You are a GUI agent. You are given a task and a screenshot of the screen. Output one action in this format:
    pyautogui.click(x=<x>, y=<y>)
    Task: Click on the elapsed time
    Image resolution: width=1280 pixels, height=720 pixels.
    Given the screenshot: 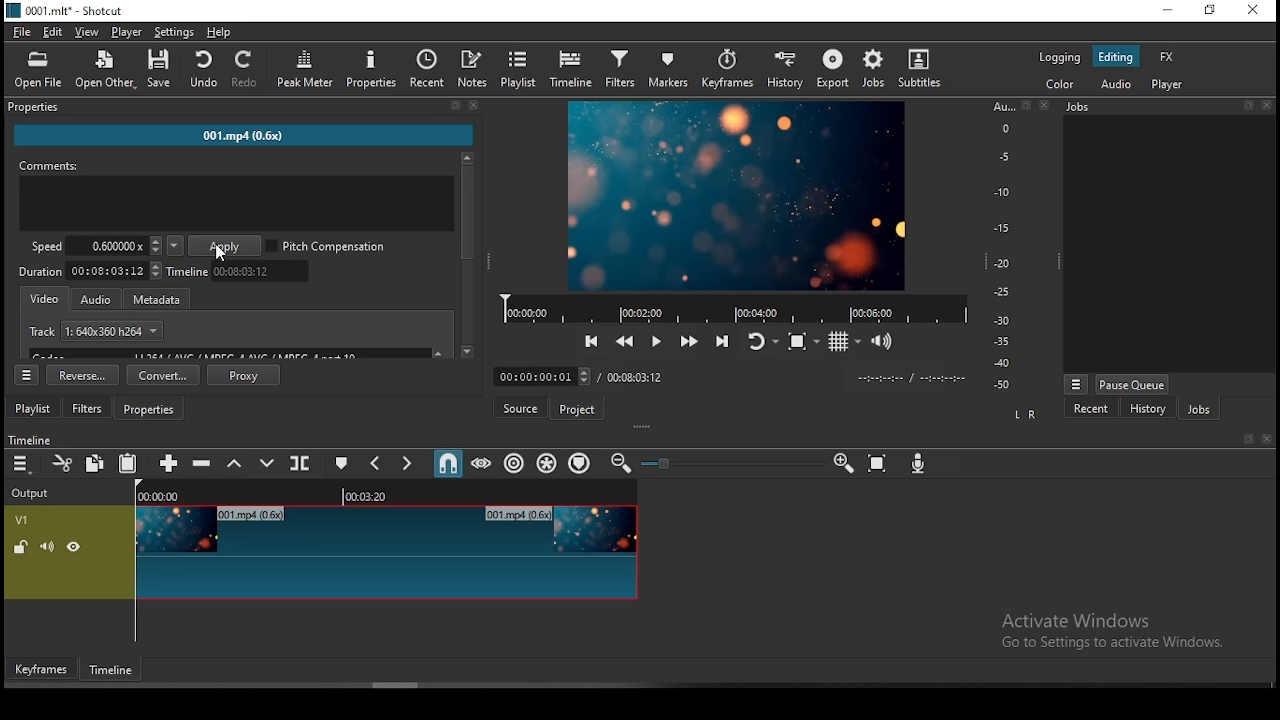 What is the action you would take?
    pyautogui.click(x=540, y=375)
    